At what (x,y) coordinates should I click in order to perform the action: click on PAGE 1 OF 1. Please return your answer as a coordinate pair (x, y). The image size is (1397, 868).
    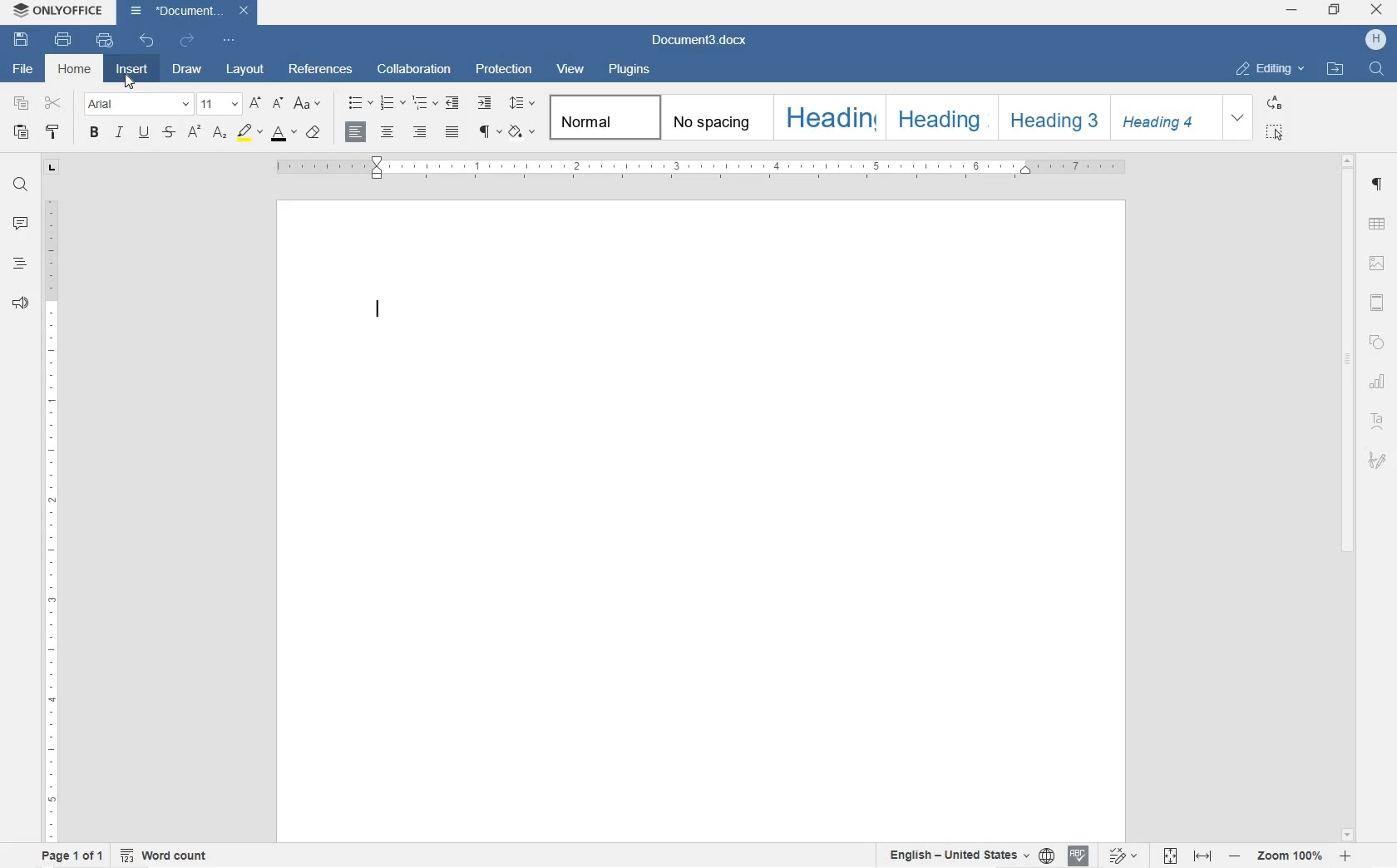
    Looking at the image, I should click on (68, 856).